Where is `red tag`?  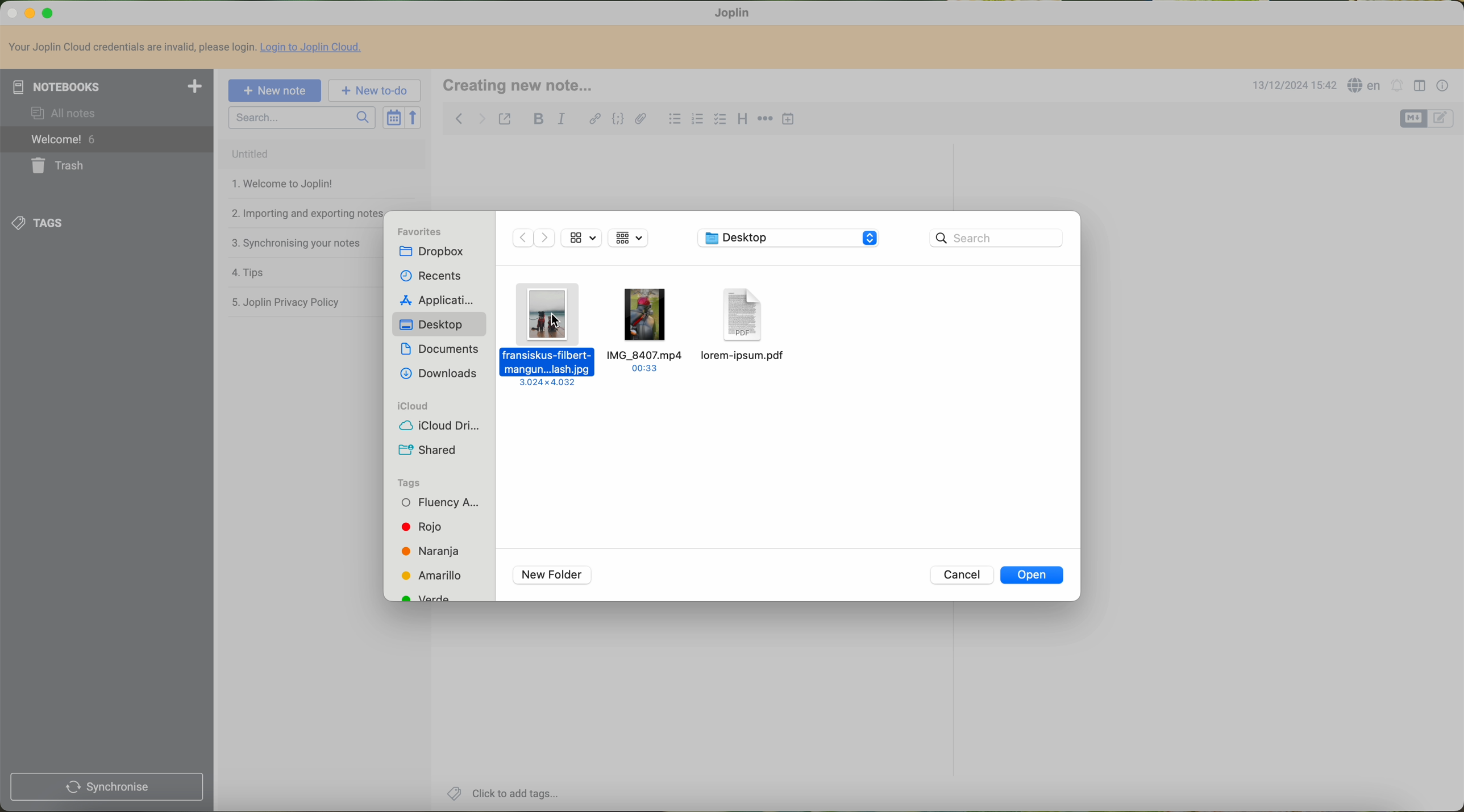
red tag is located at coordinates (425, 527).